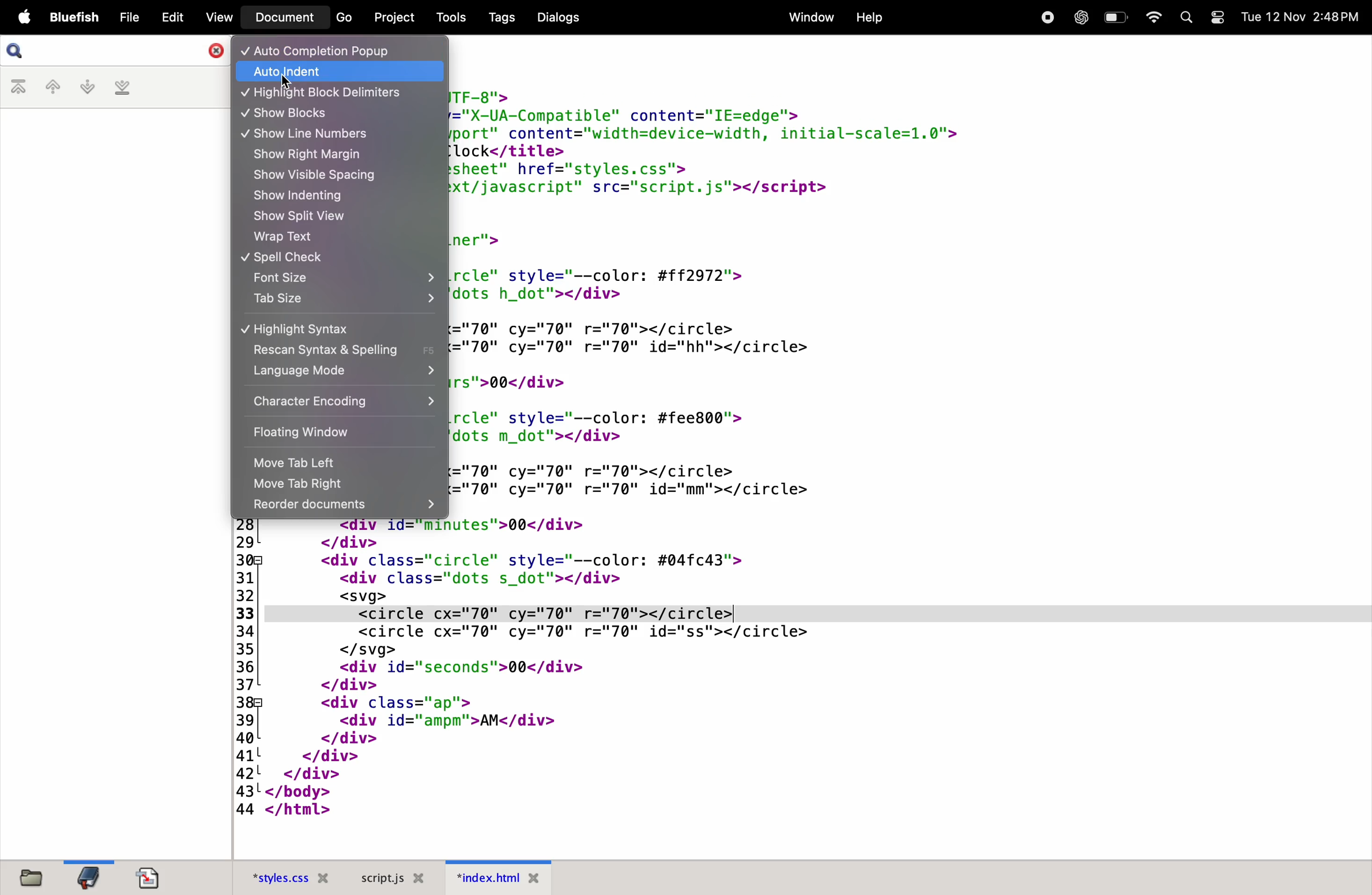  What do you see at coordinates (126, 88) in the screenshot?
I see `last bookmark` at bounding box center [126, 88].